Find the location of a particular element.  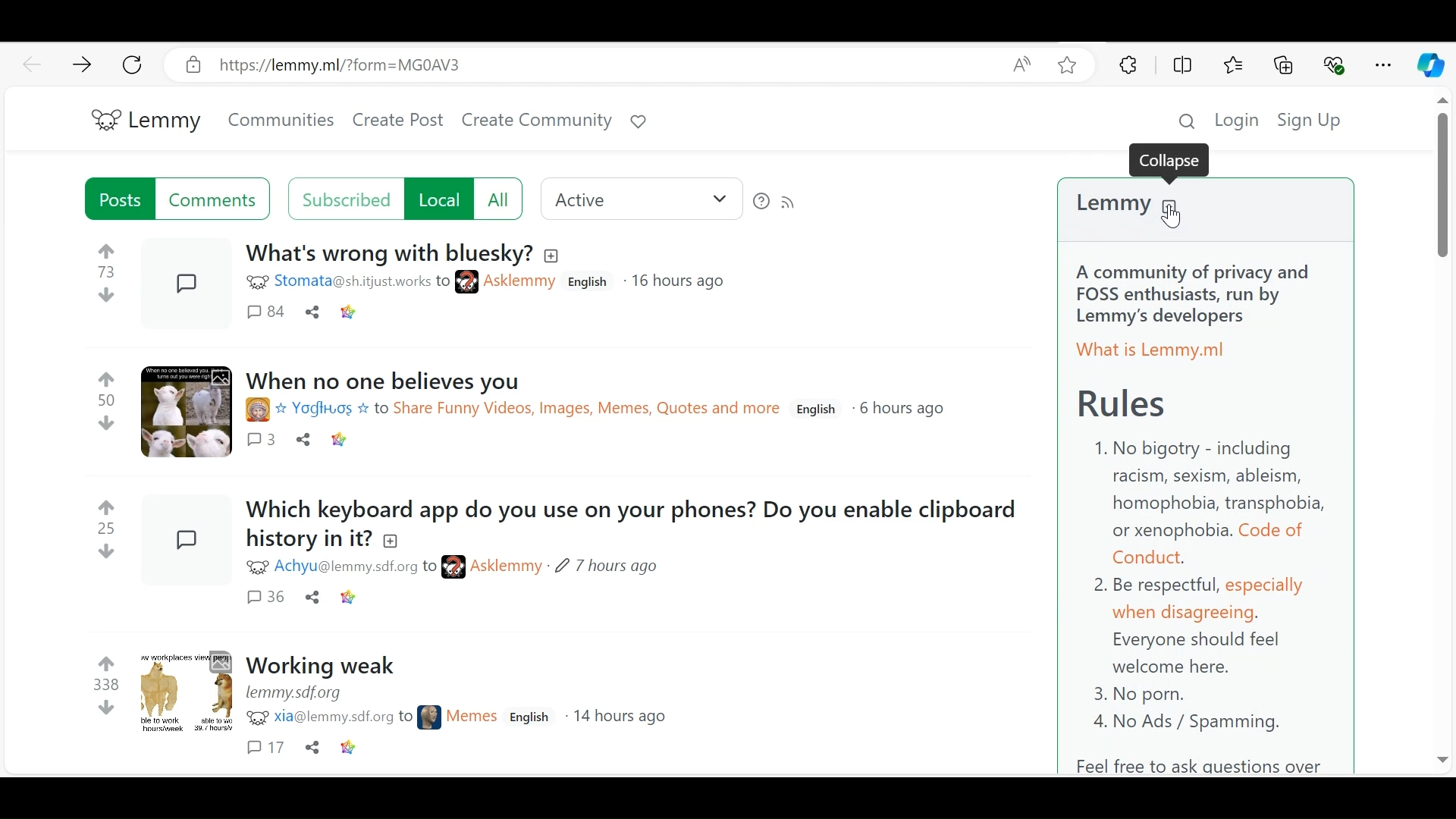

Upvotes is located at coordinates (108, 661).